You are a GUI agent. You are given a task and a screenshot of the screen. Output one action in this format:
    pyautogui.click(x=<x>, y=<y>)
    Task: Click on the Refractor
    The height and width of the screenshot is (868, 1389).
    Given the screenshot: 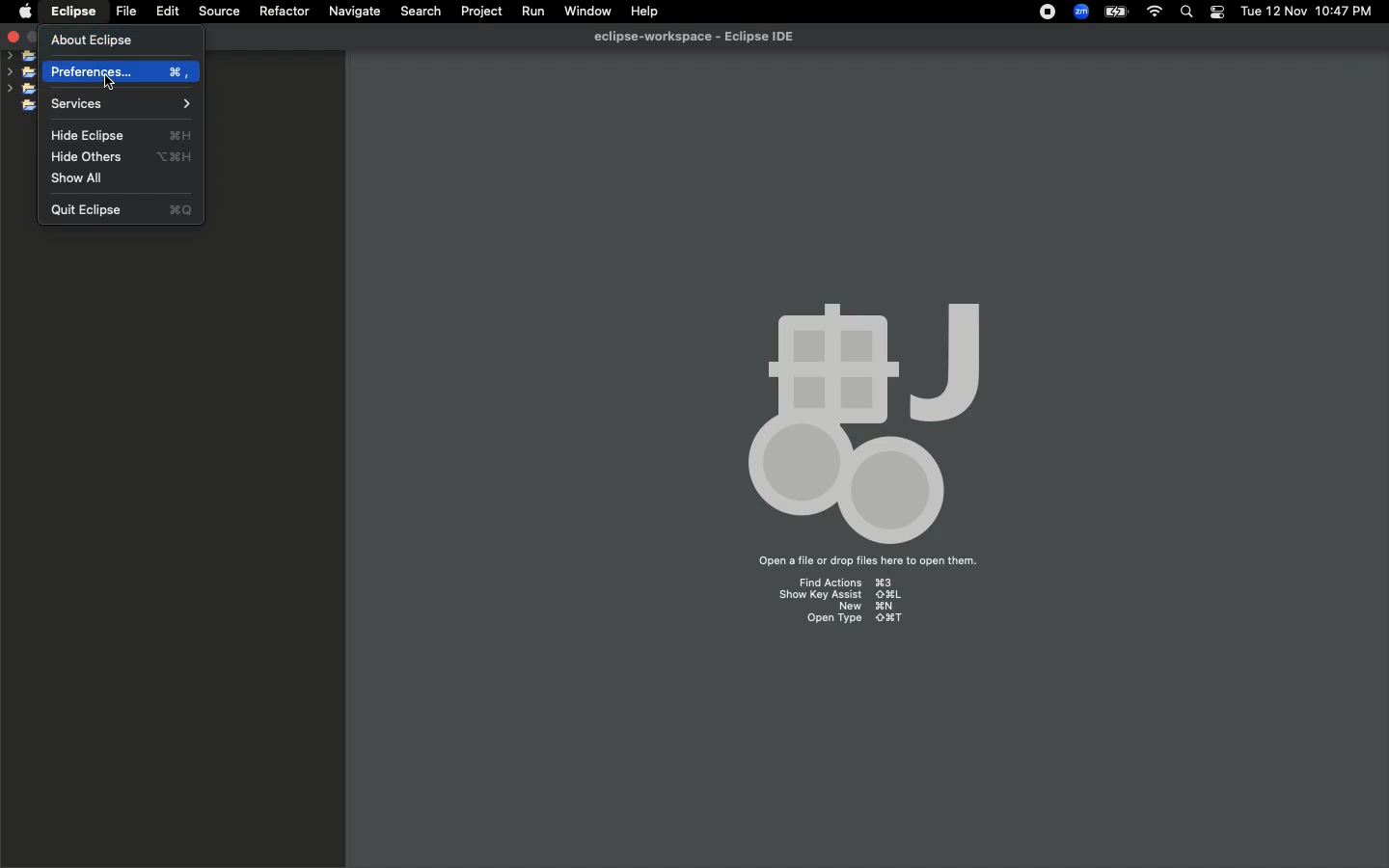 What is the action you would take?
    pyautogui.click(x=285, y=13)
    